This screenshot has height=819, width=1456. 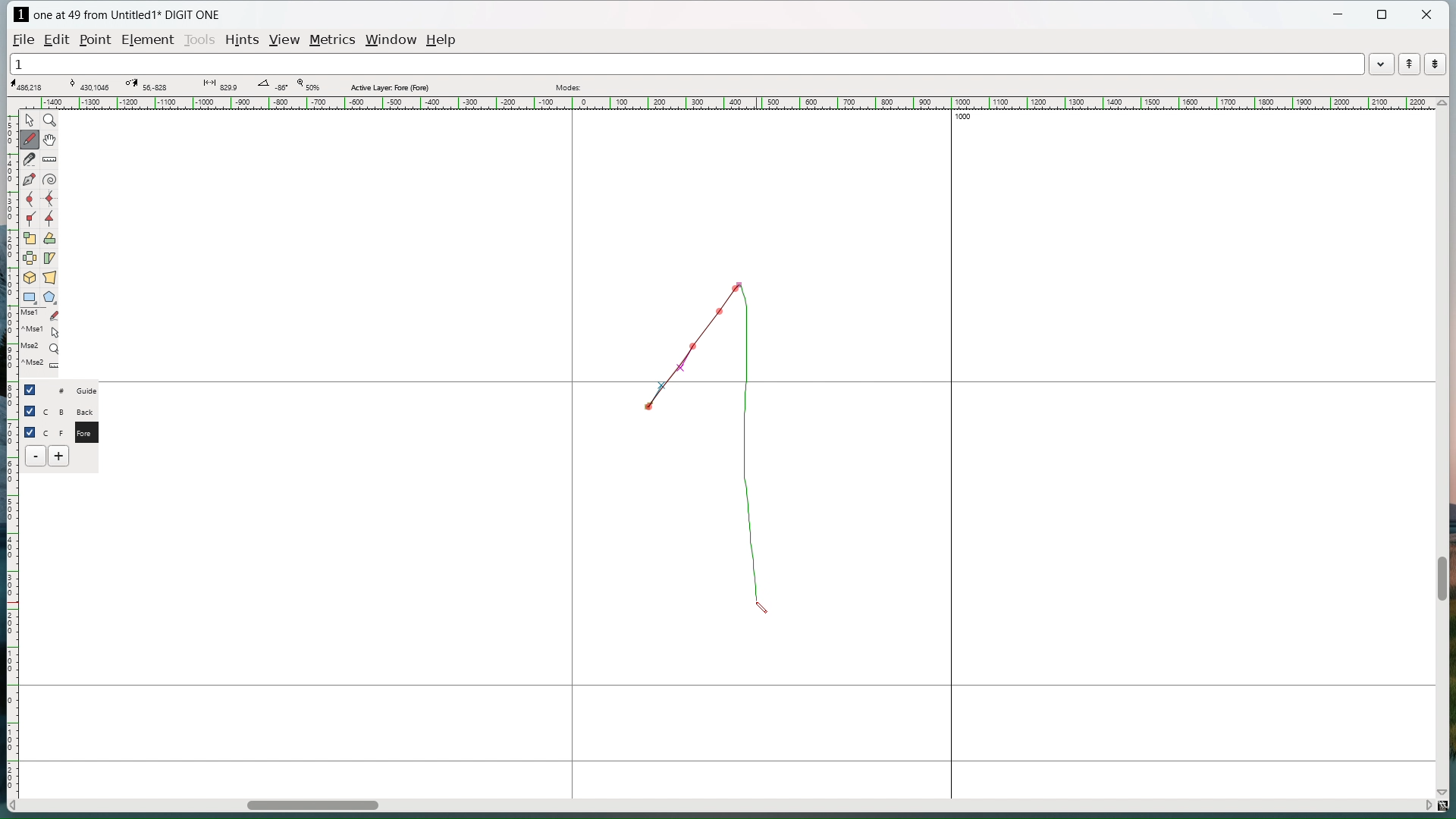 I want to click on window, so click(x=393, y=39).